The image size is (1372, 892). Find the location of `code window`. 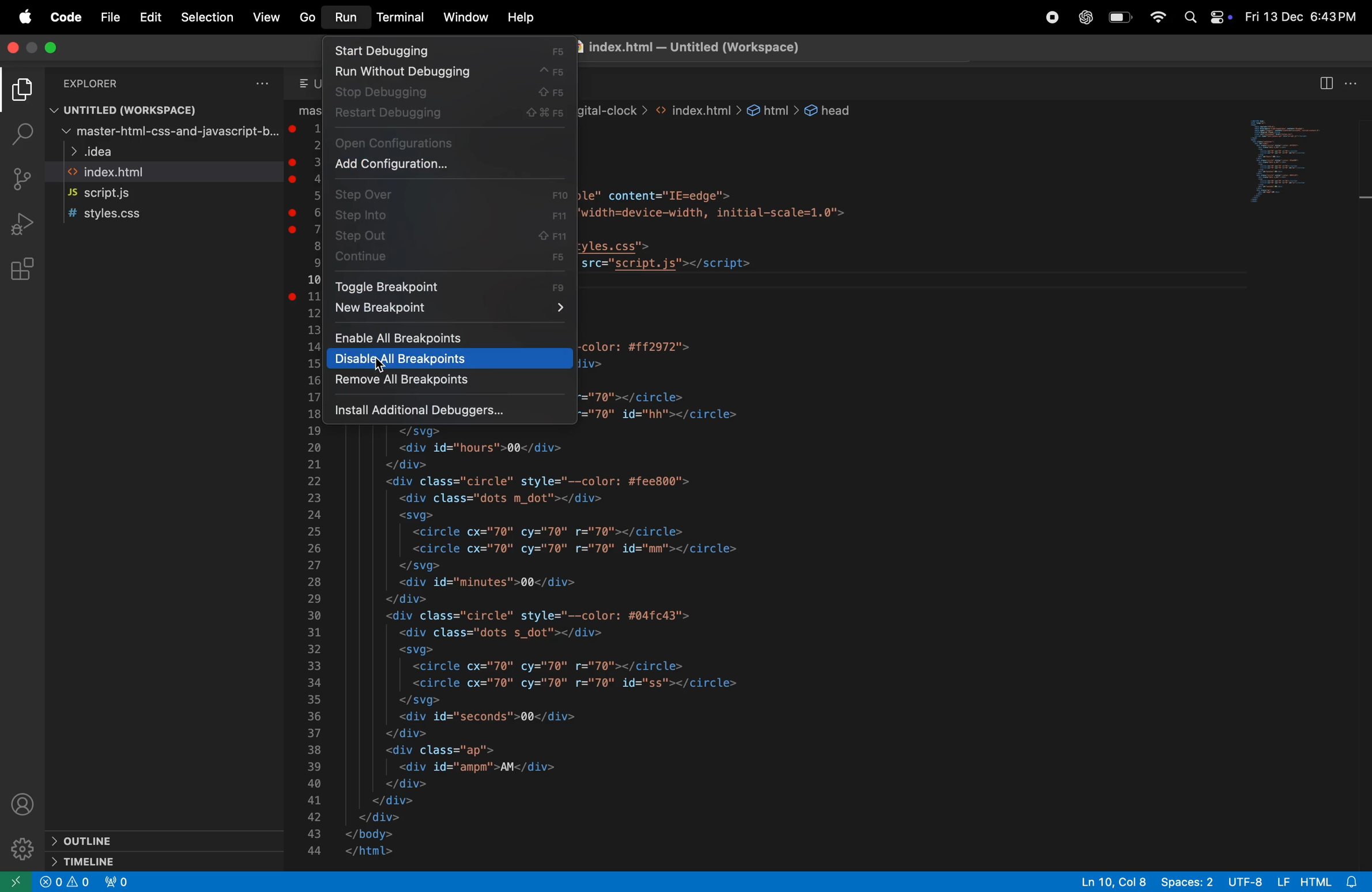

code window is located at coordinates (1305, 158).